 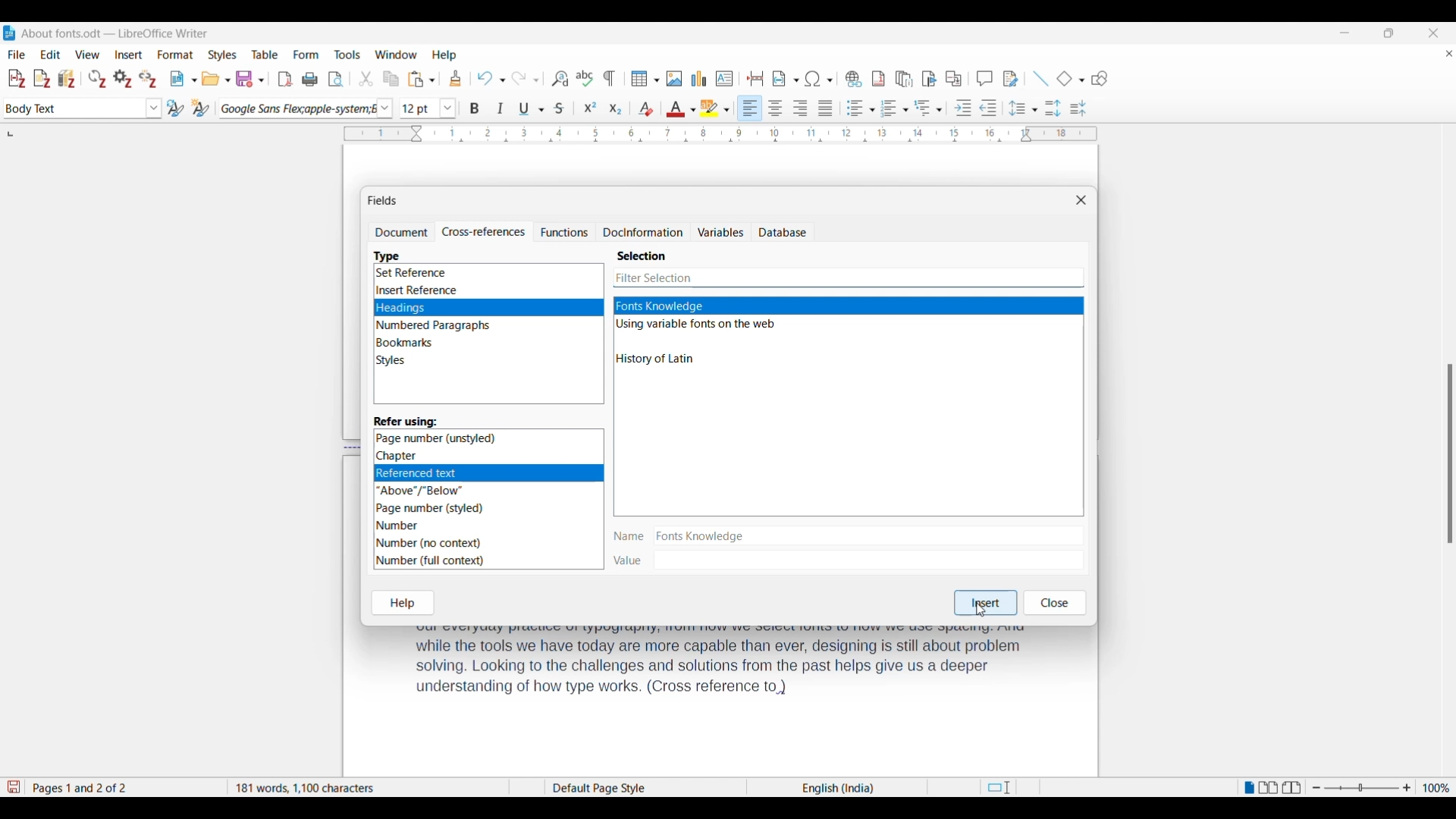 What do you see at coordinates (865, 560) in the screenshot?
I see `Value` at bounding box center [865, 560].